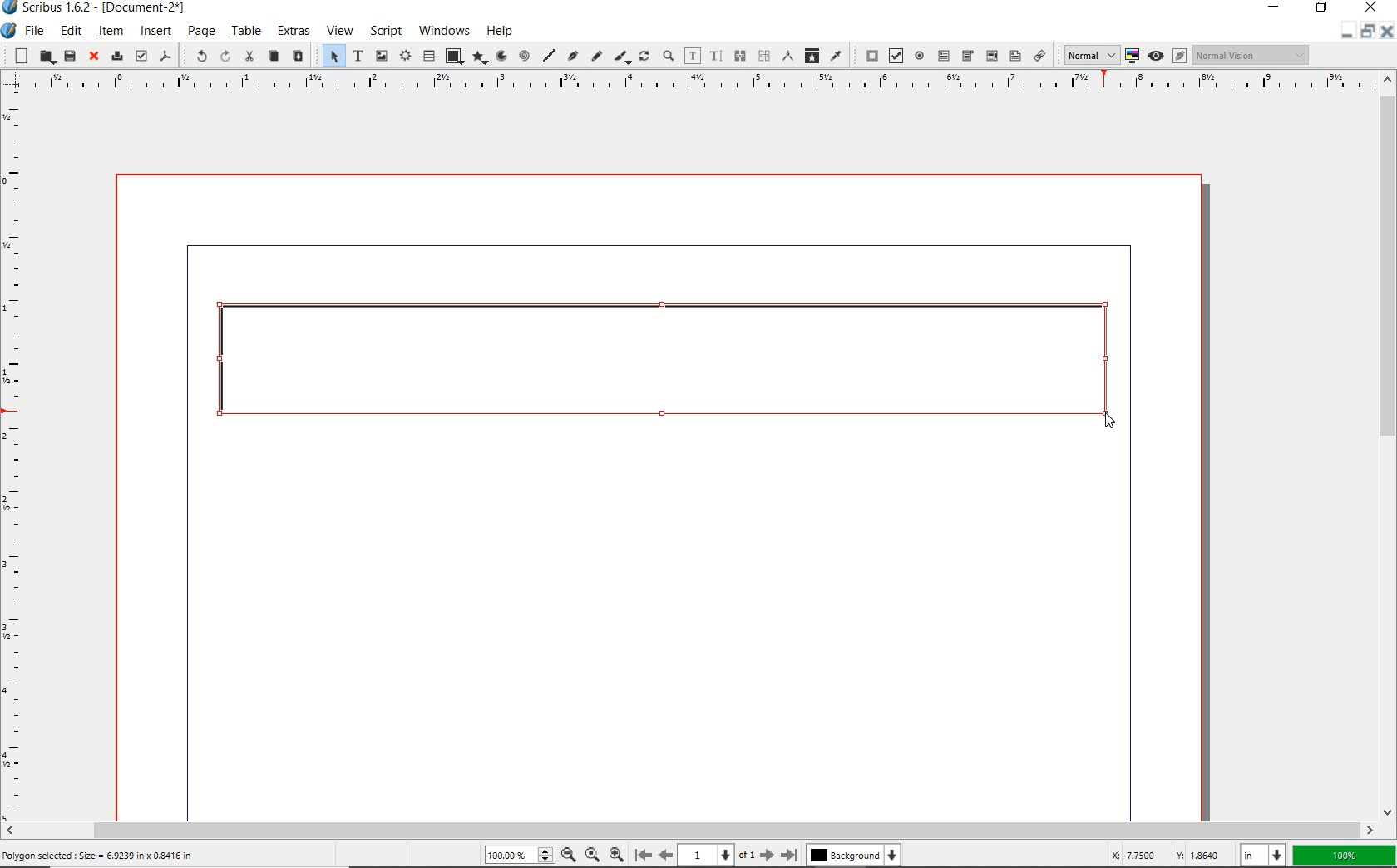 Image resolution: width=1397 pixels, height=868 pixels. What do you see at coordinates (384, 31) in the screenshot?
I see `script` at bounding box center [384, 31].